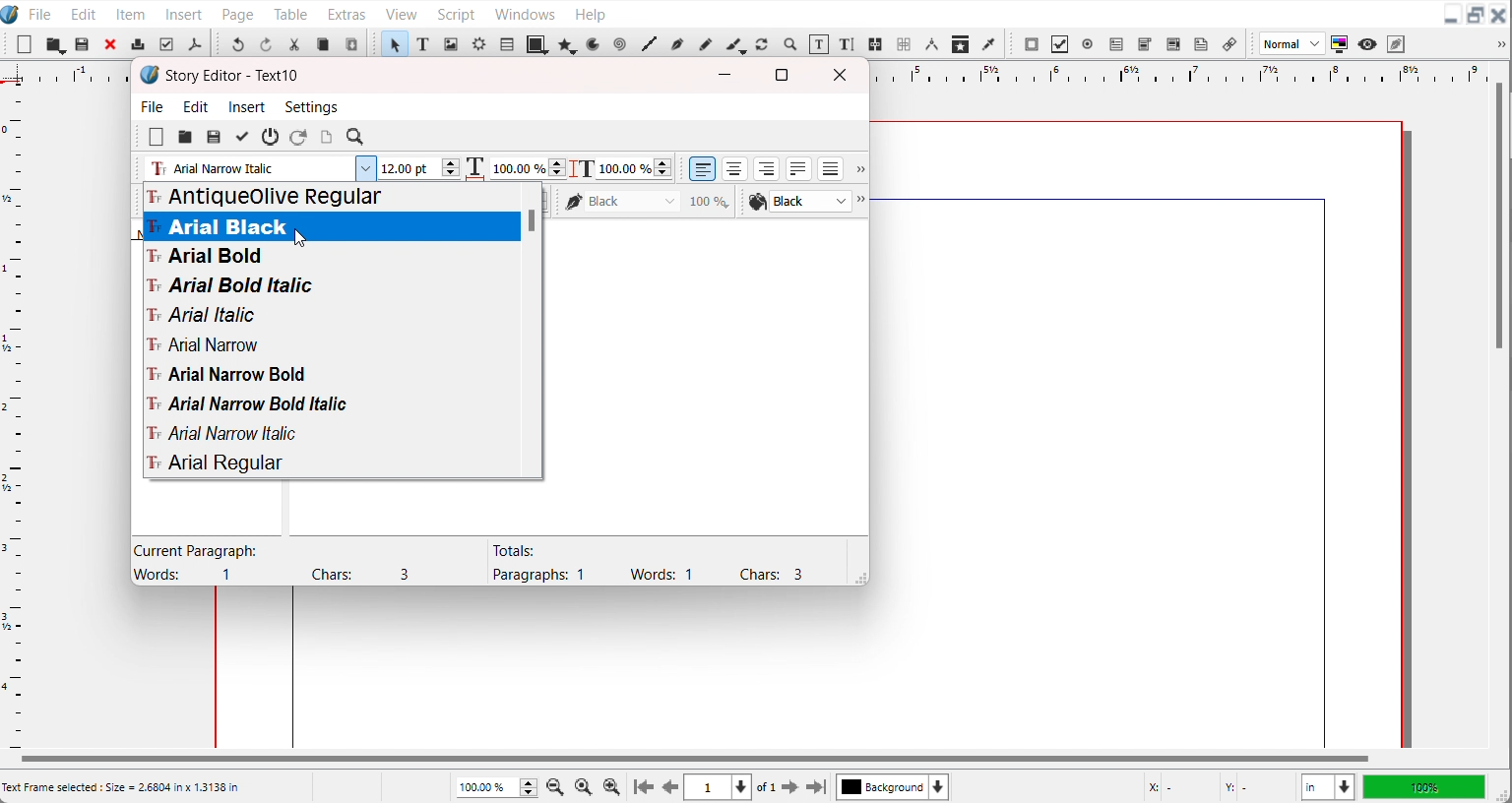  Describe the element at coordinates (858, 170) in the screenshot. I see `Drop down box` at that location.